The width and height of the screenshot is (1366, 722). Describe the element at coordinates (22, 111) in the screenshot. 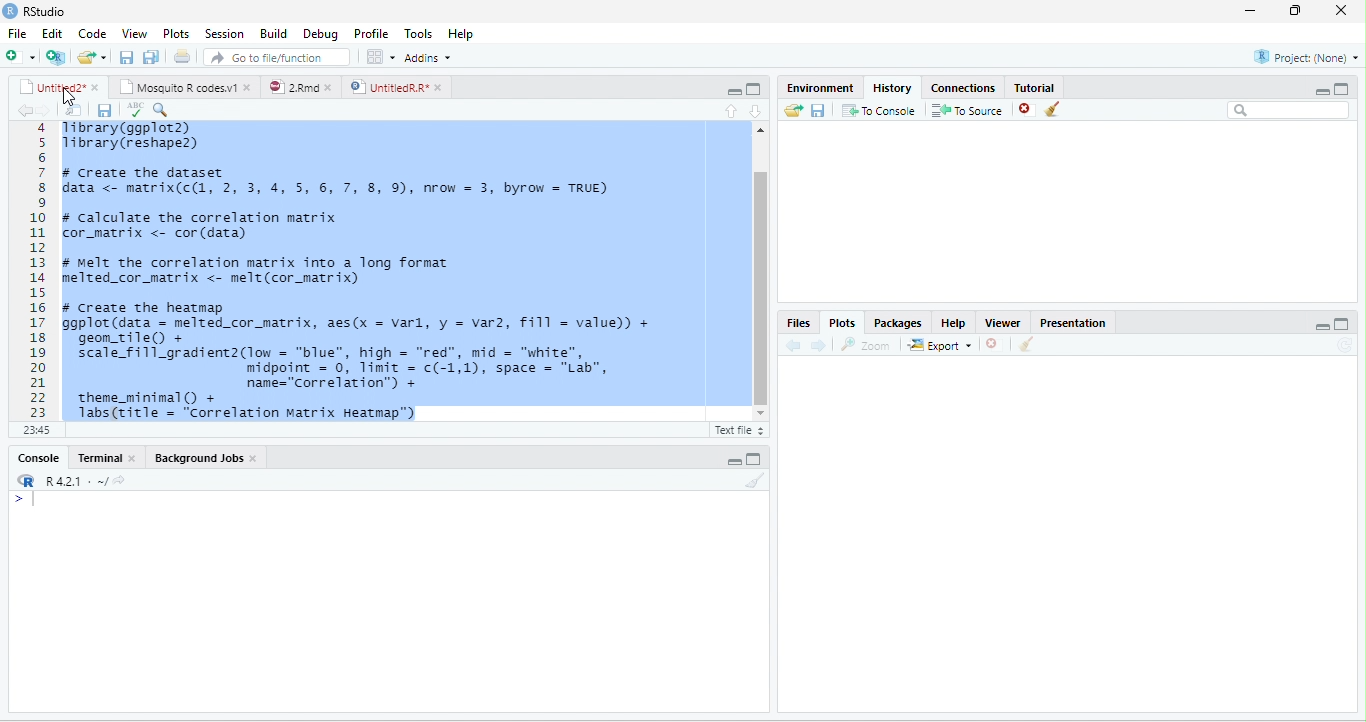

I see `arrow` at that location.